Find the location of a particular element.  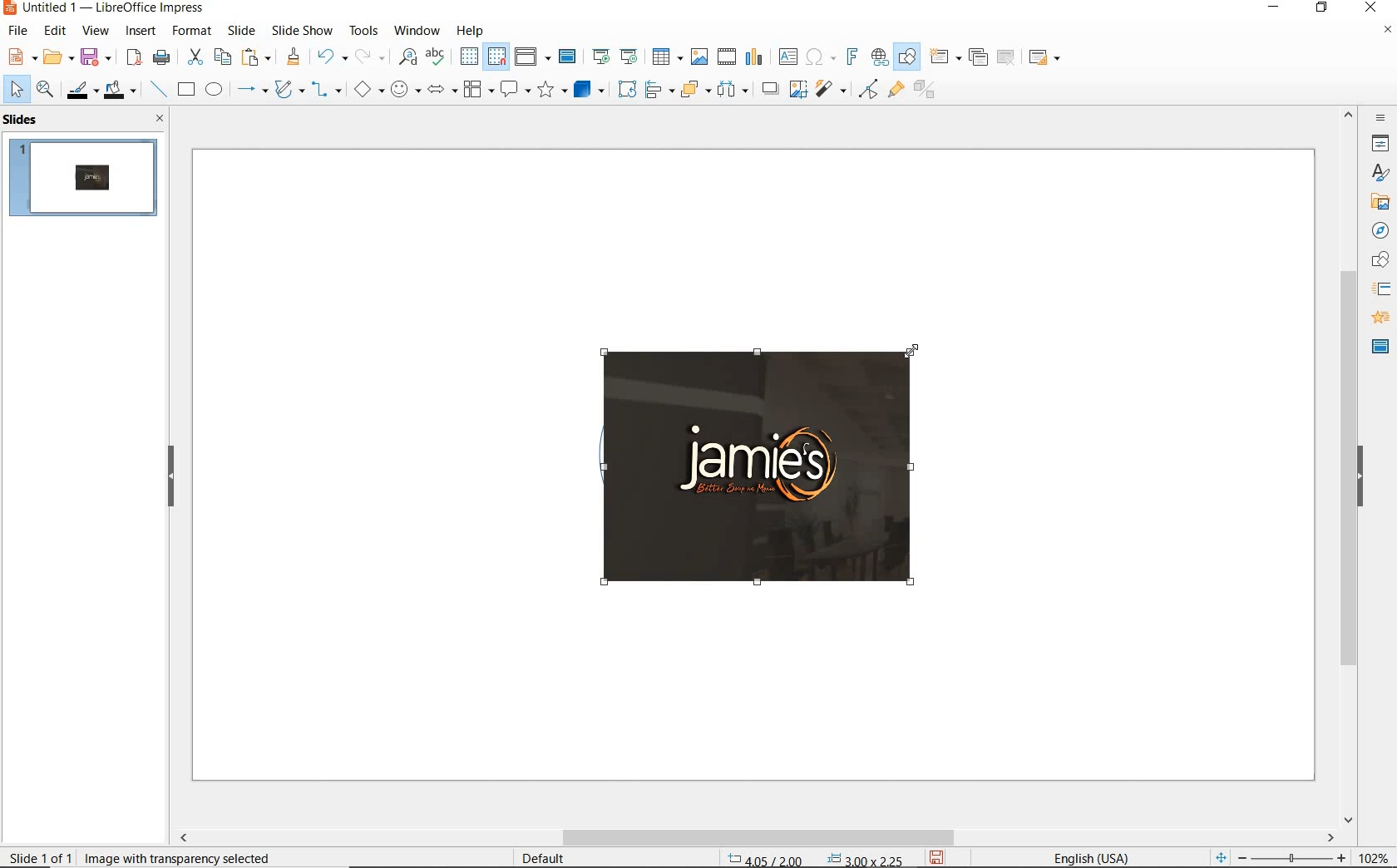

insert fontwork text is located at coordinates (850, 57).